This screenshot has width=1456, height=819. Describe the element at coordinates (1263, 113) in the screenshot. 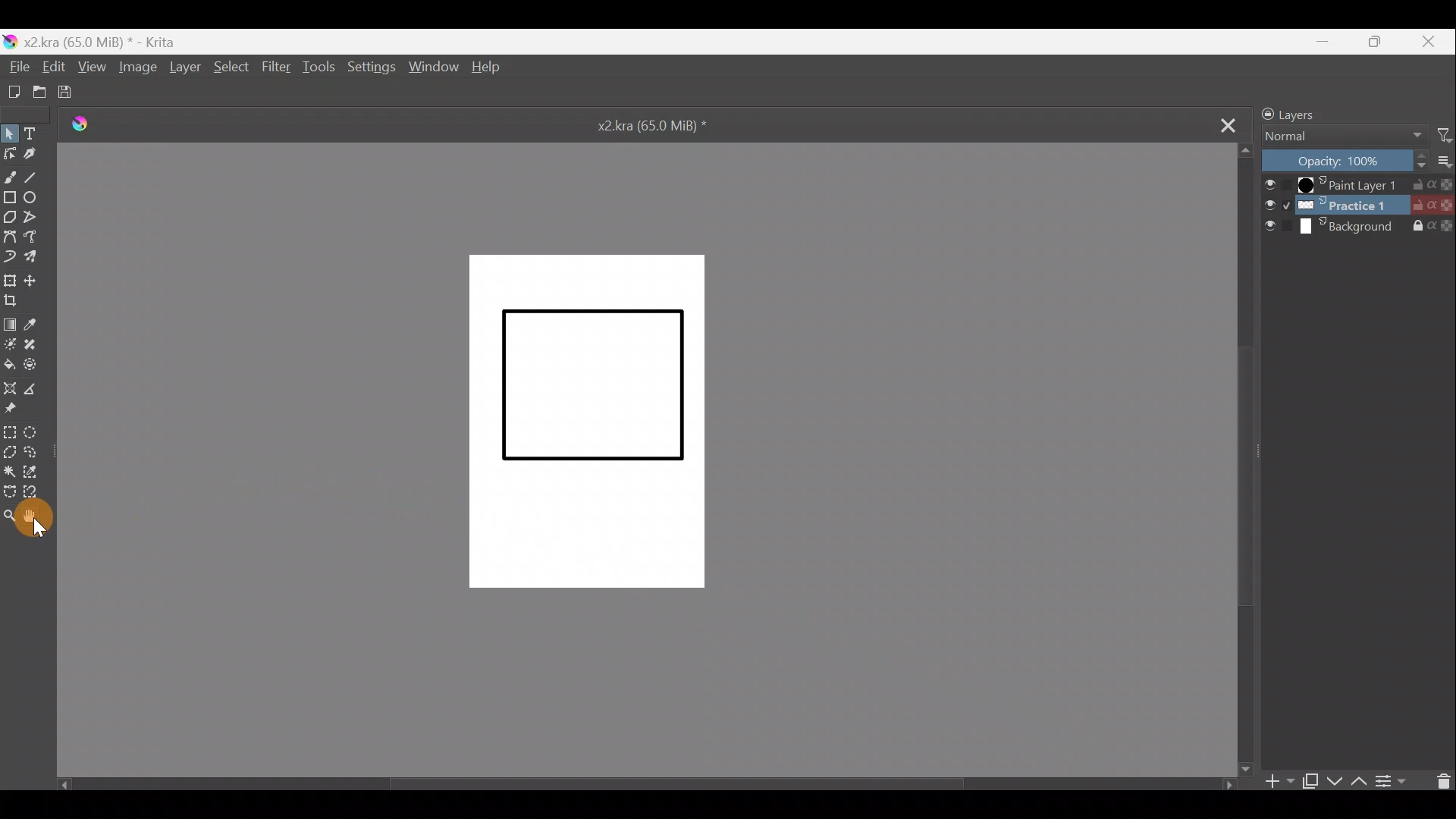

I see `Lock/unlock docker` at that location.